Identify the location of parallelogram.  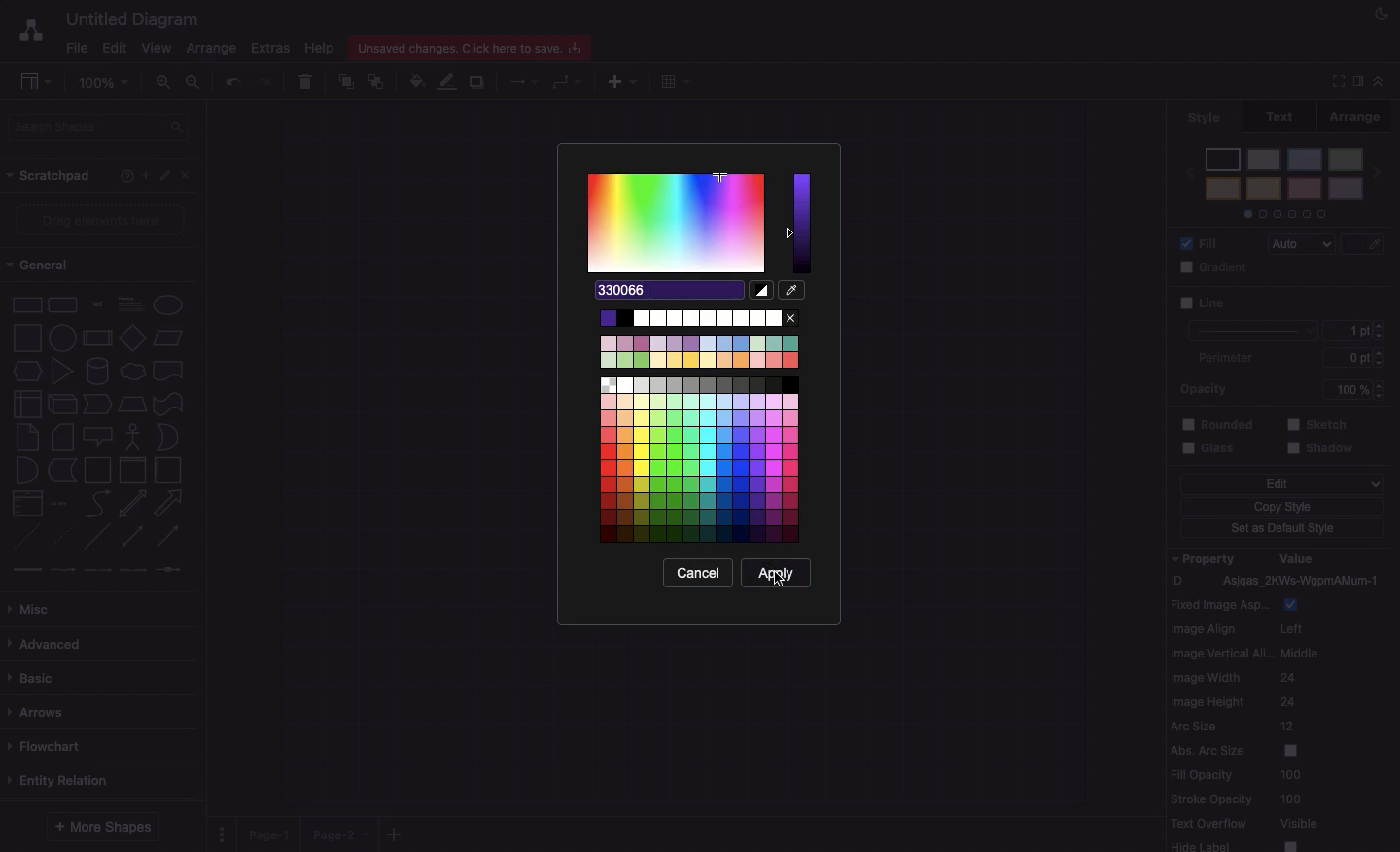
(170, 338).